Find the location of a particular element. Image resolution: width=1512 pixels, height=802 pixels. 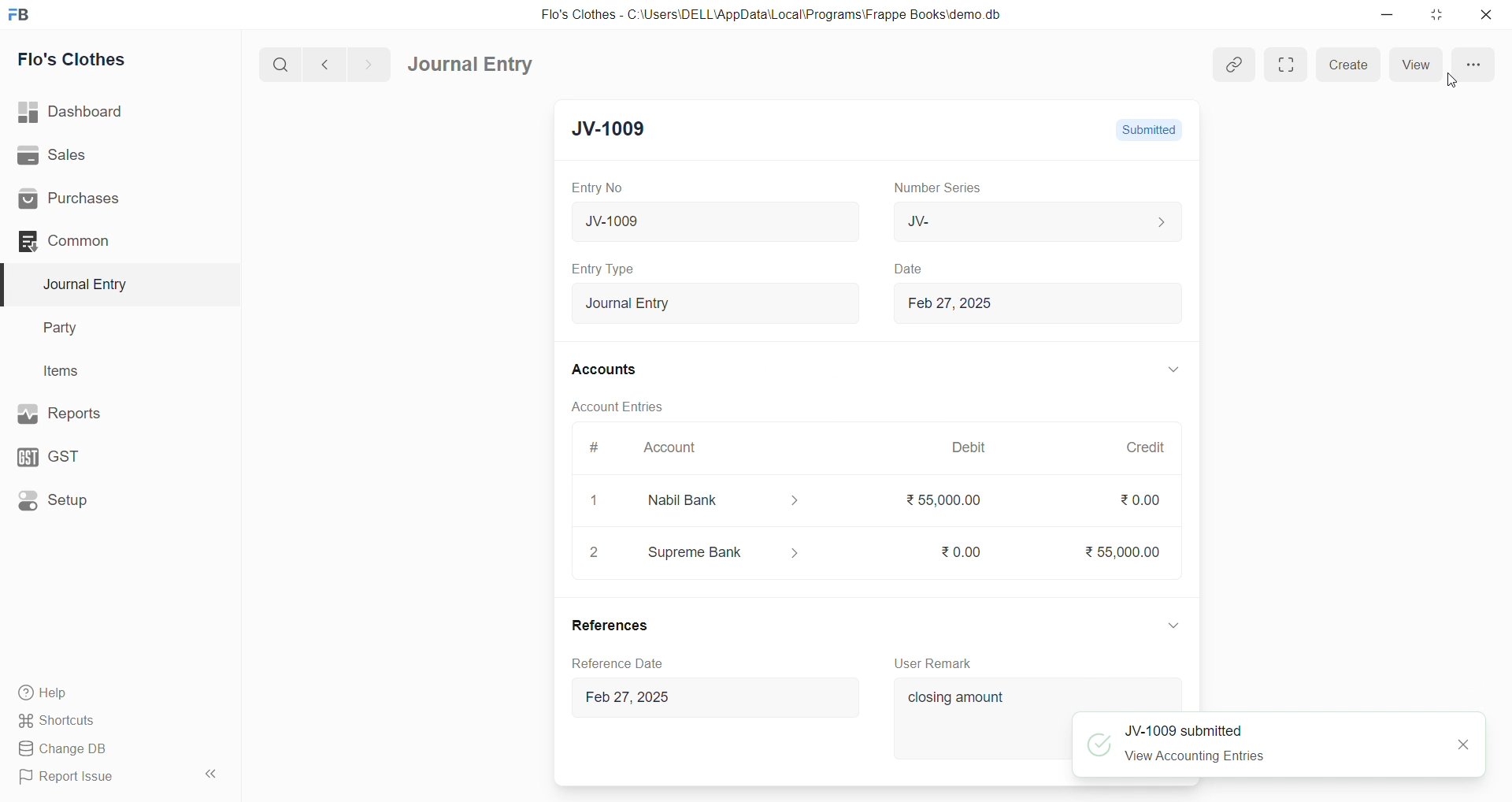

Number Series is located at coordinates (939, 188).